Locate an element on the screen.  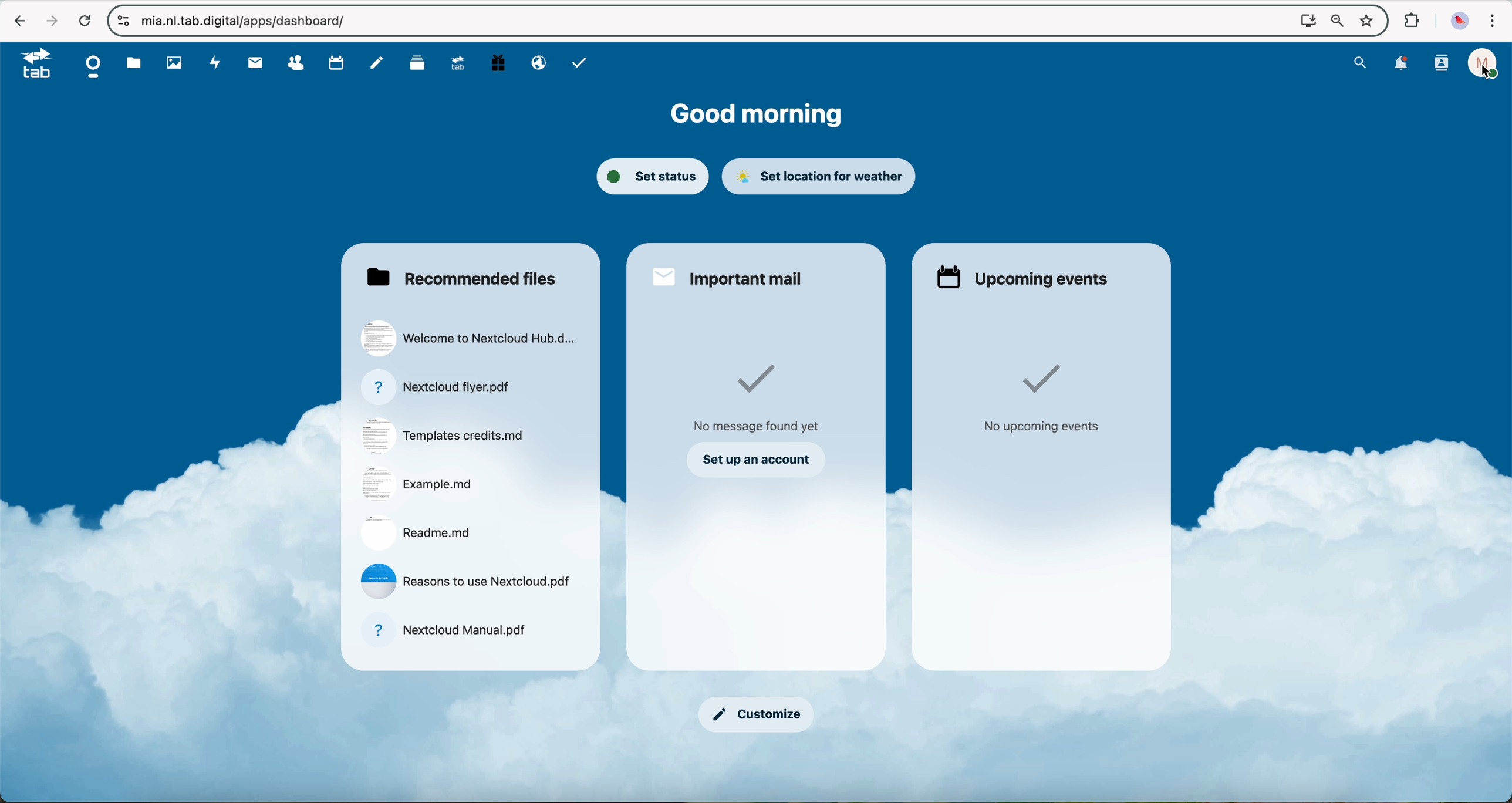
URL is located at coordinates (248, 20).